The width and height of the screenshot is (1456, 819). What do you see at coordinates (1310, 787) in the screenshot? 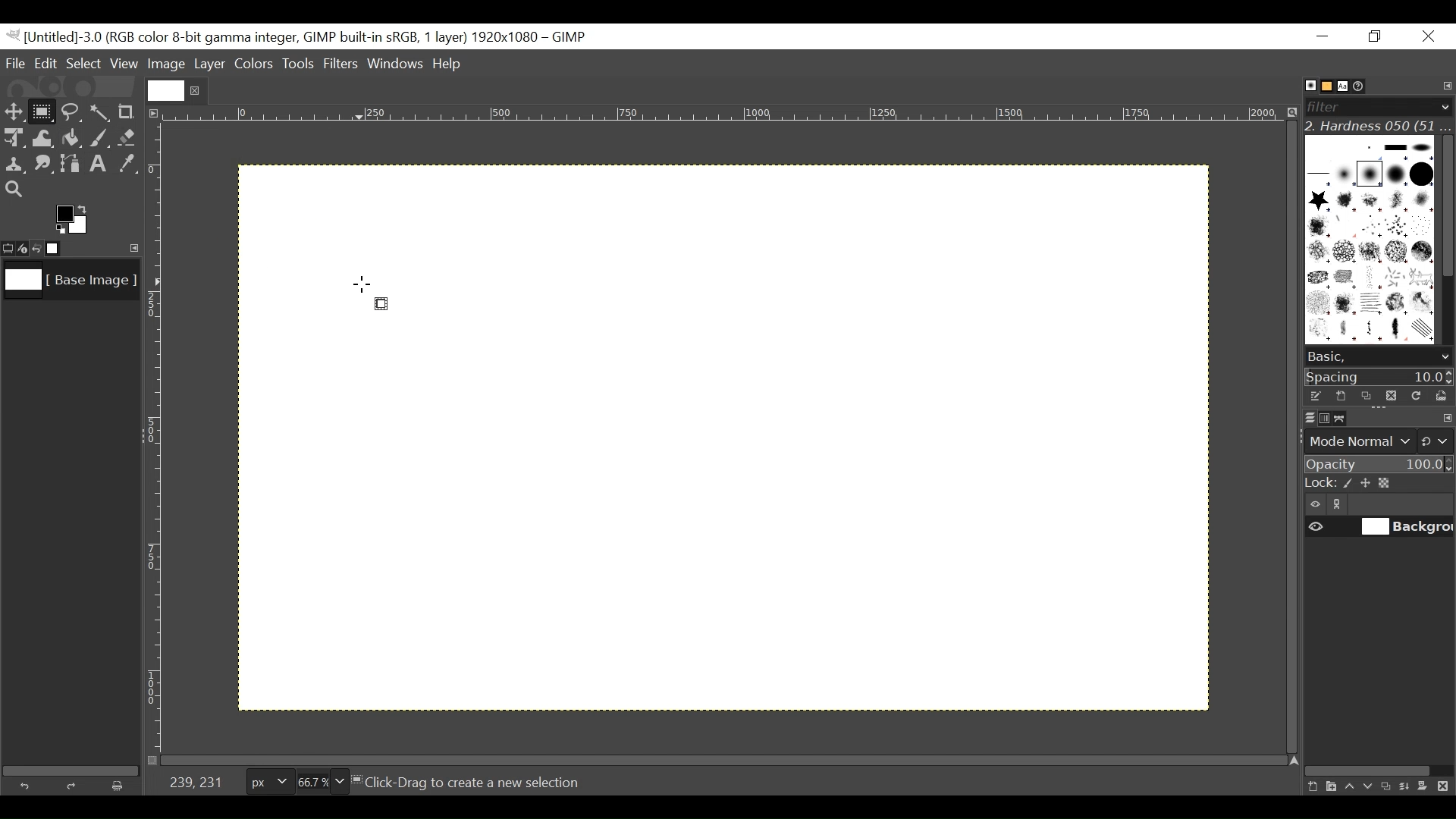
I see `Create a new layer with last used values` at bounding box center [1310, 787].